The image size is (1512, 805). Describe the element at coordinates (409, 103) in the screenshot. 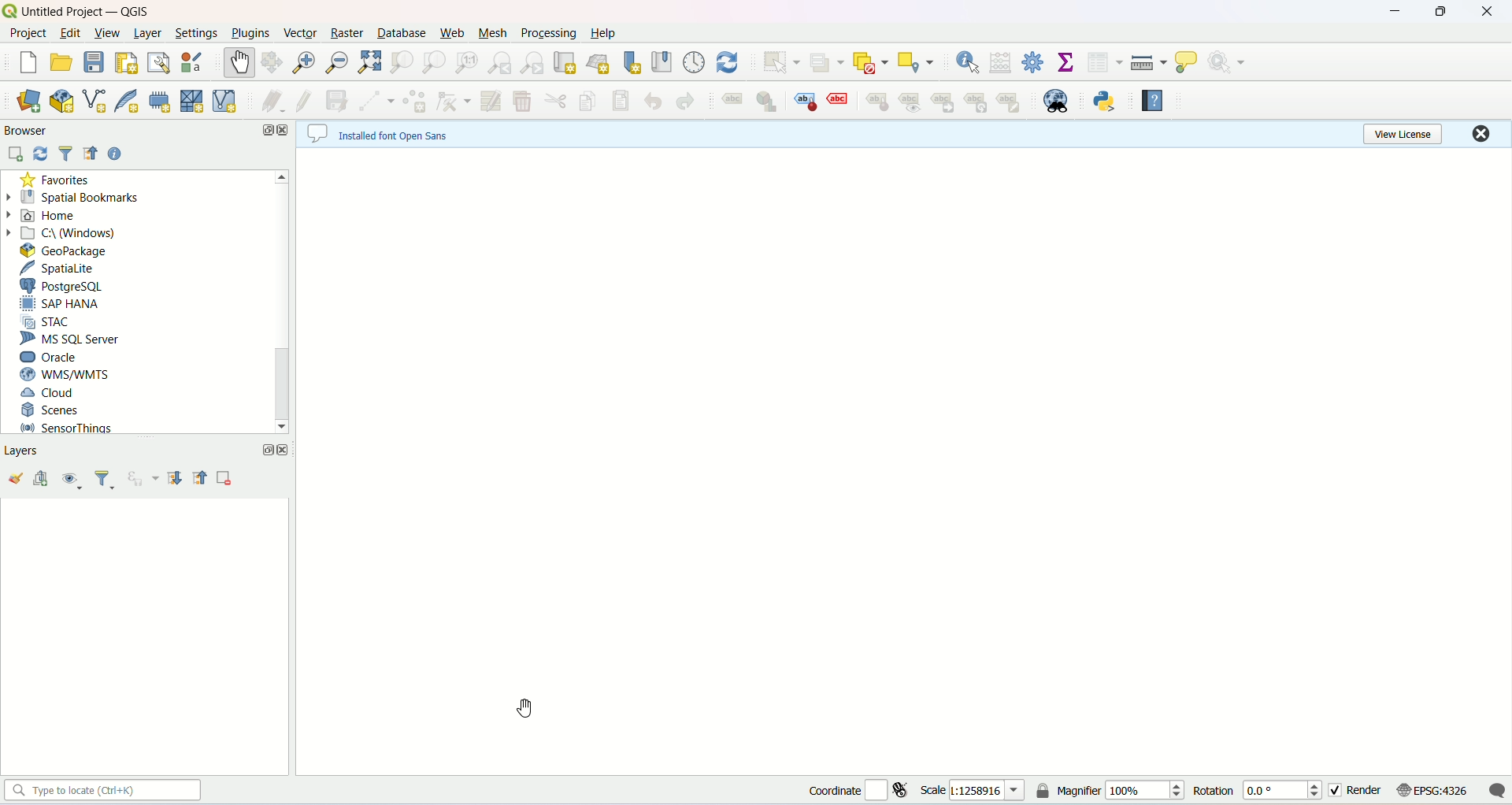

I see `add features` at that location.